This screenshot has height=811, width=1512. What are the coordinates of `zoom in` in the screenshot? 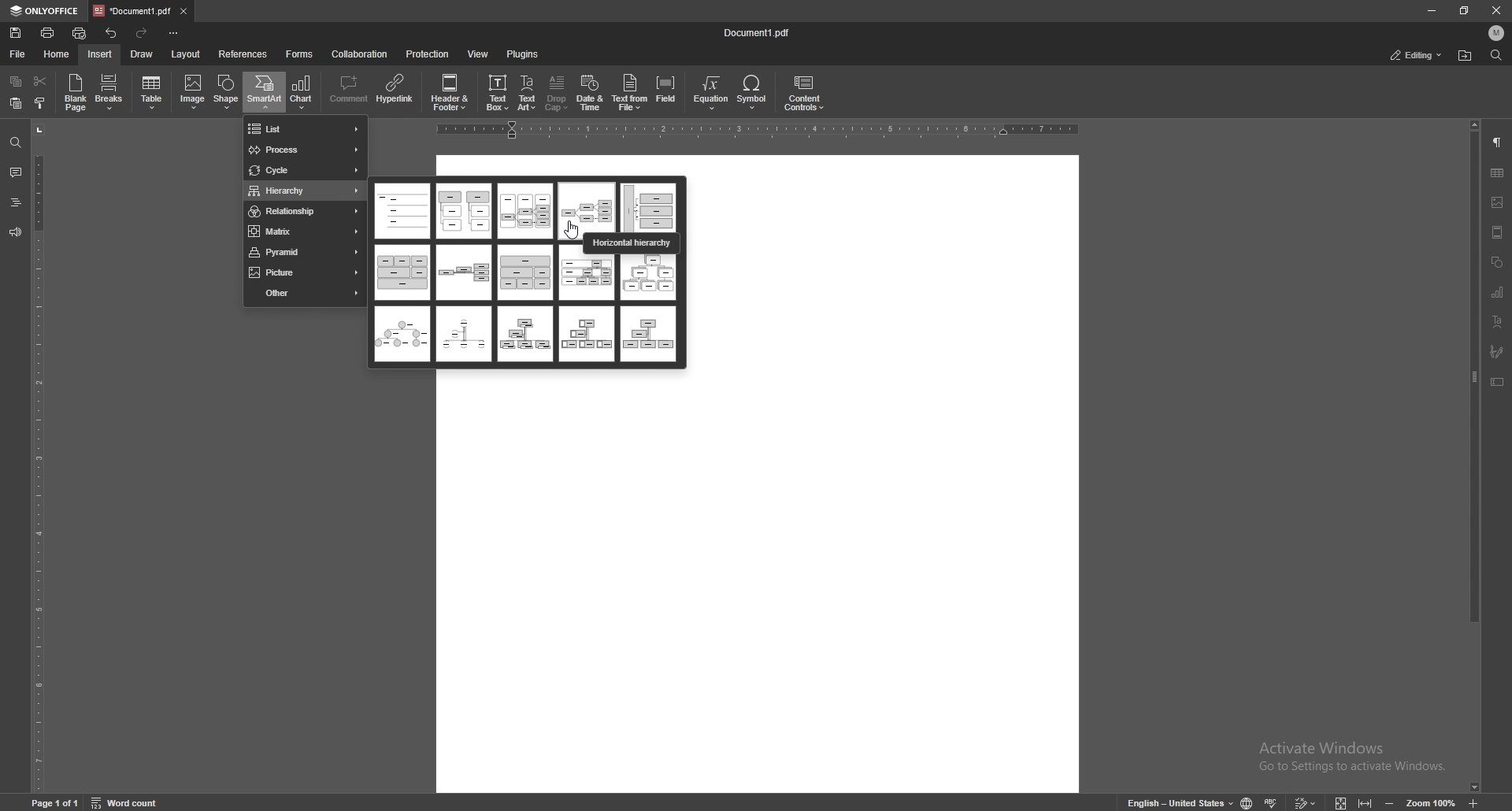 It's located at (1477, 803).